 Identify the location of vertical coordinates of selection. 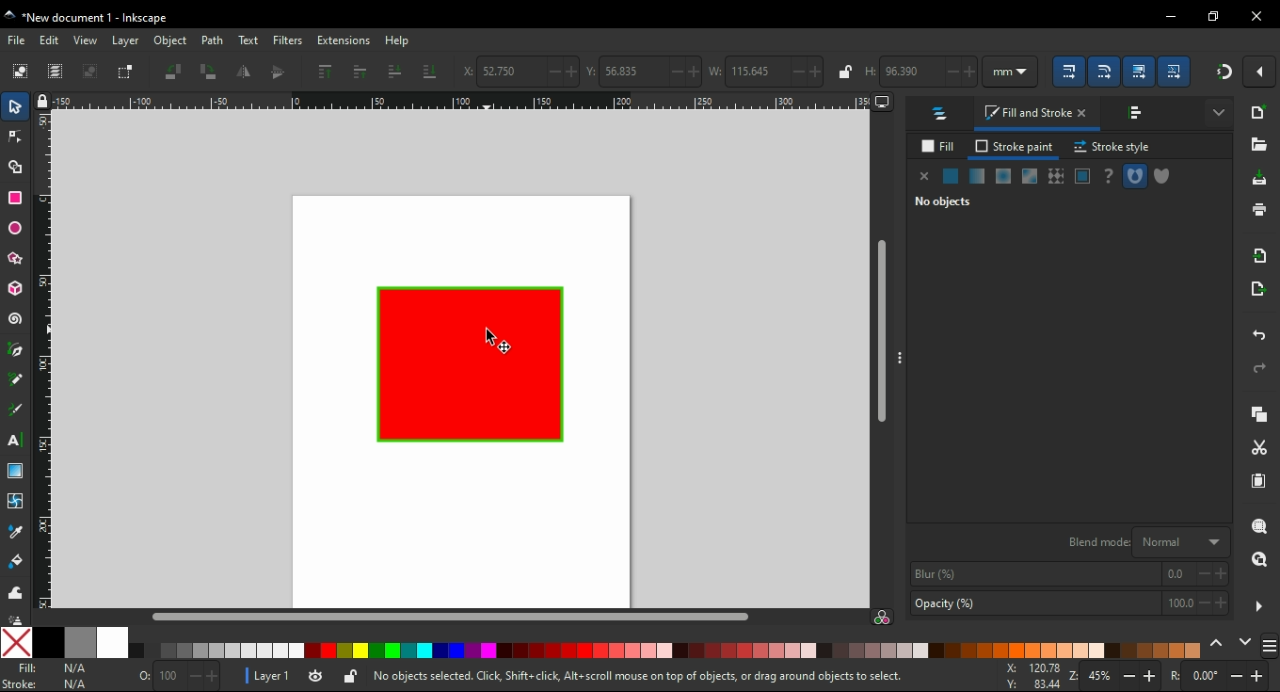
(588, 71).